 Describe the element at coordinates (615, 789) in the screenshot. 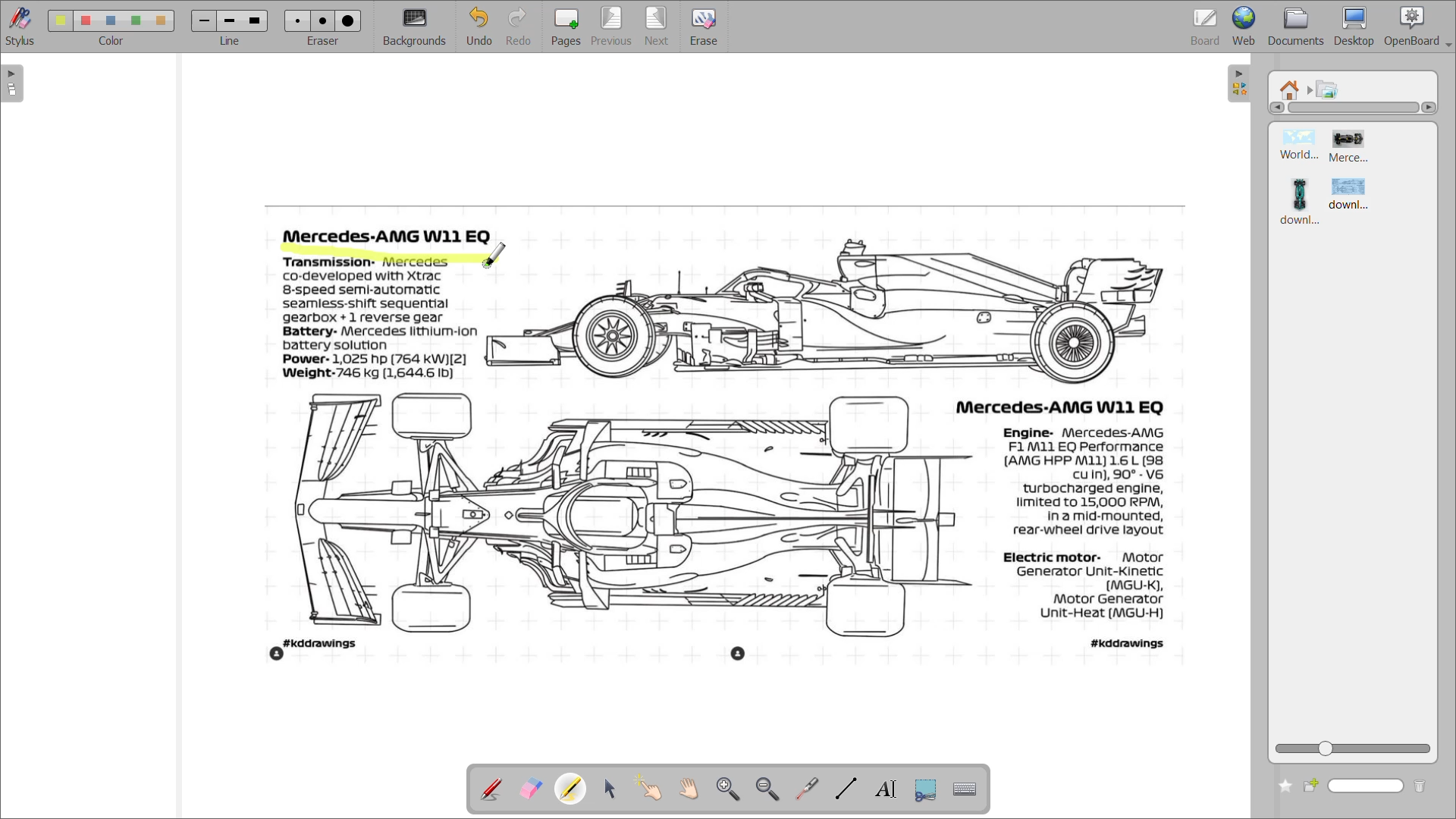

I see `select and modify objects` at that location.